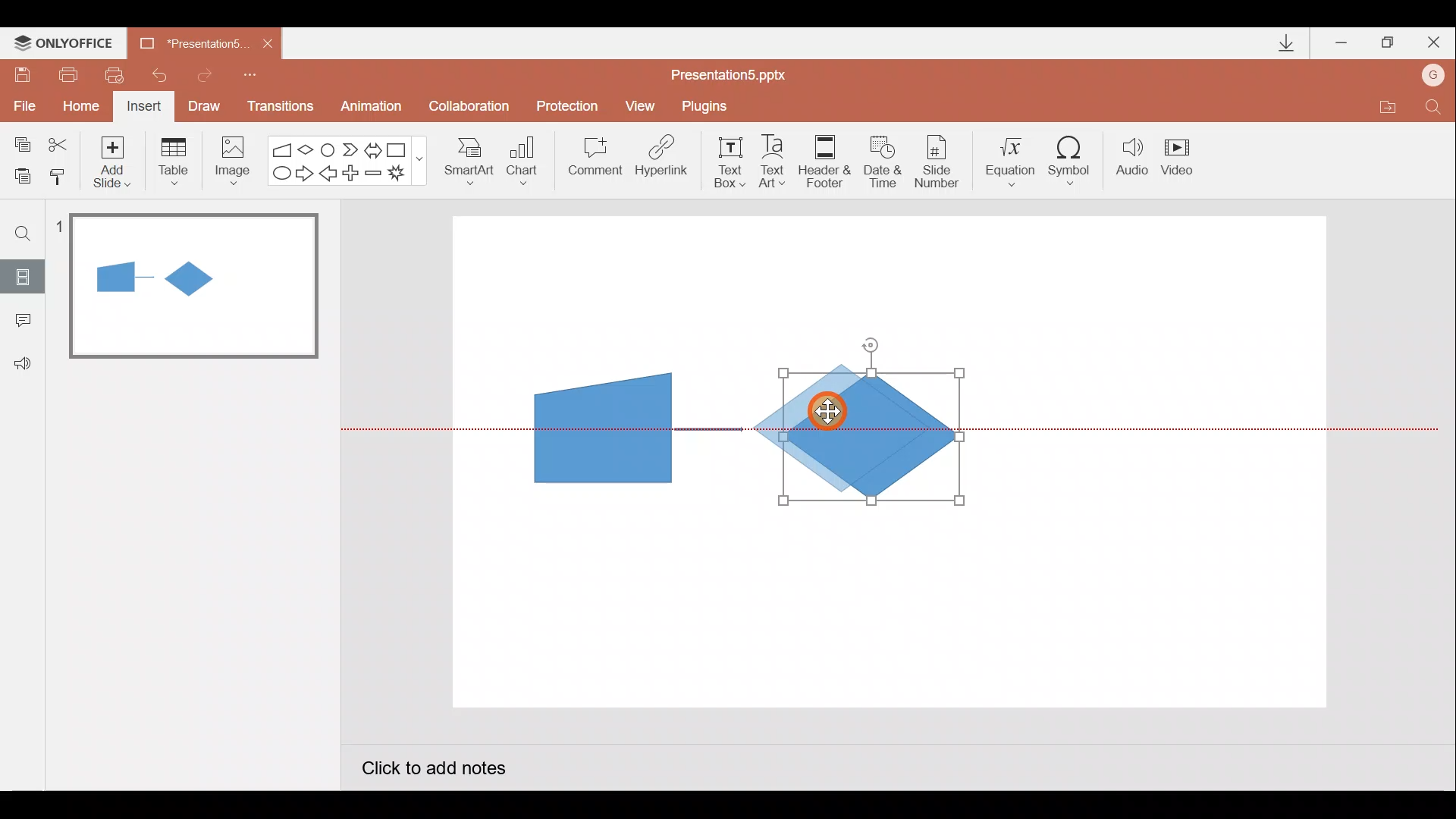 This screenshot has width=1456, height=819. What do you see at coordinates (77, 102) in the screenshot?
I see `Home` at bounding box center [77, 102].